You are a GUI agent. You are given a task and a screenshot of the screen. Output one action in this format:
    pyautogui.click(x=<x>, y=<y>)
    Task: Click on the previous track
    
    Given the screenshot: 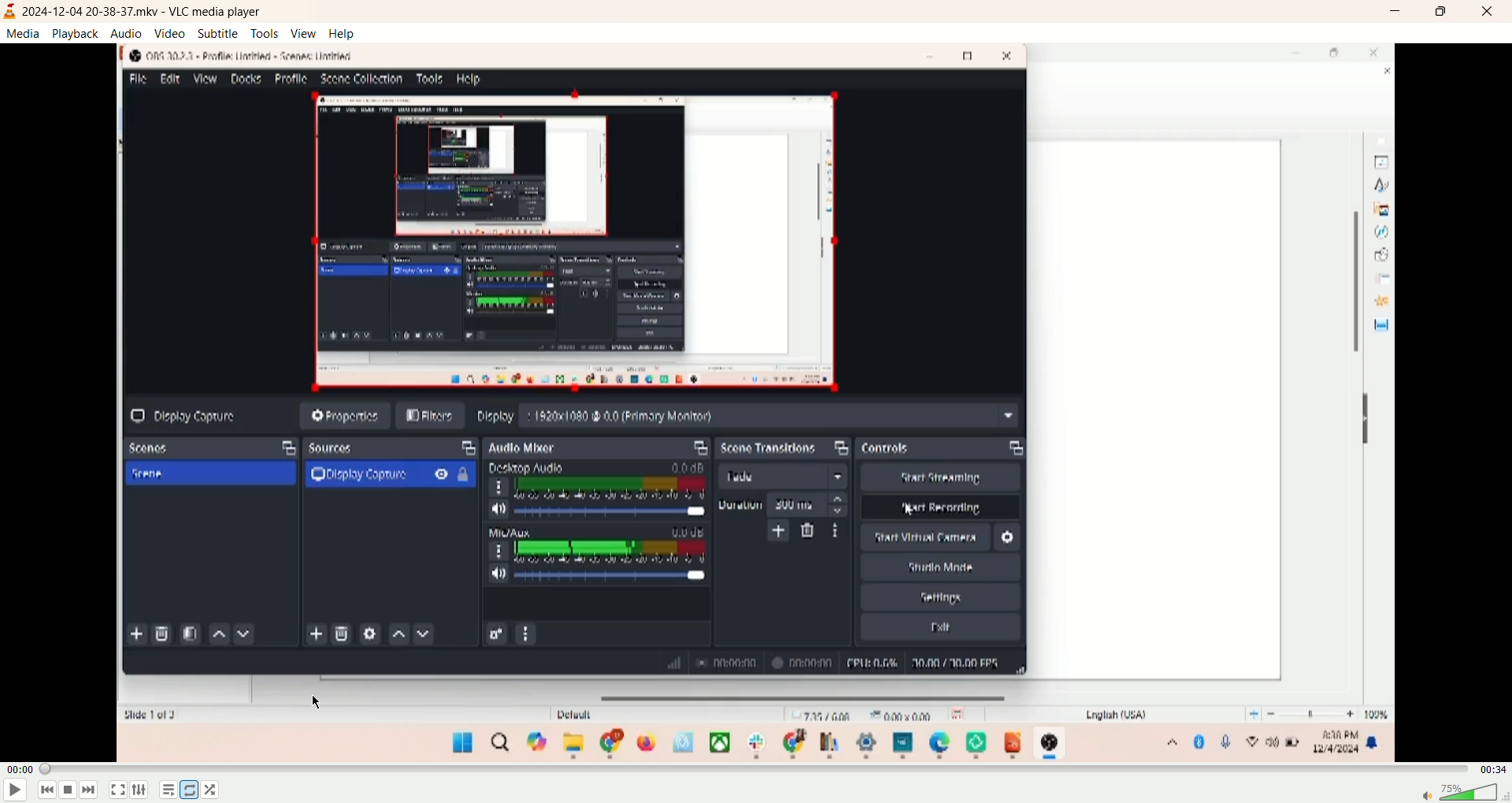 What is the action you would take?
    pyautogui.click(x=47, y=791)
    